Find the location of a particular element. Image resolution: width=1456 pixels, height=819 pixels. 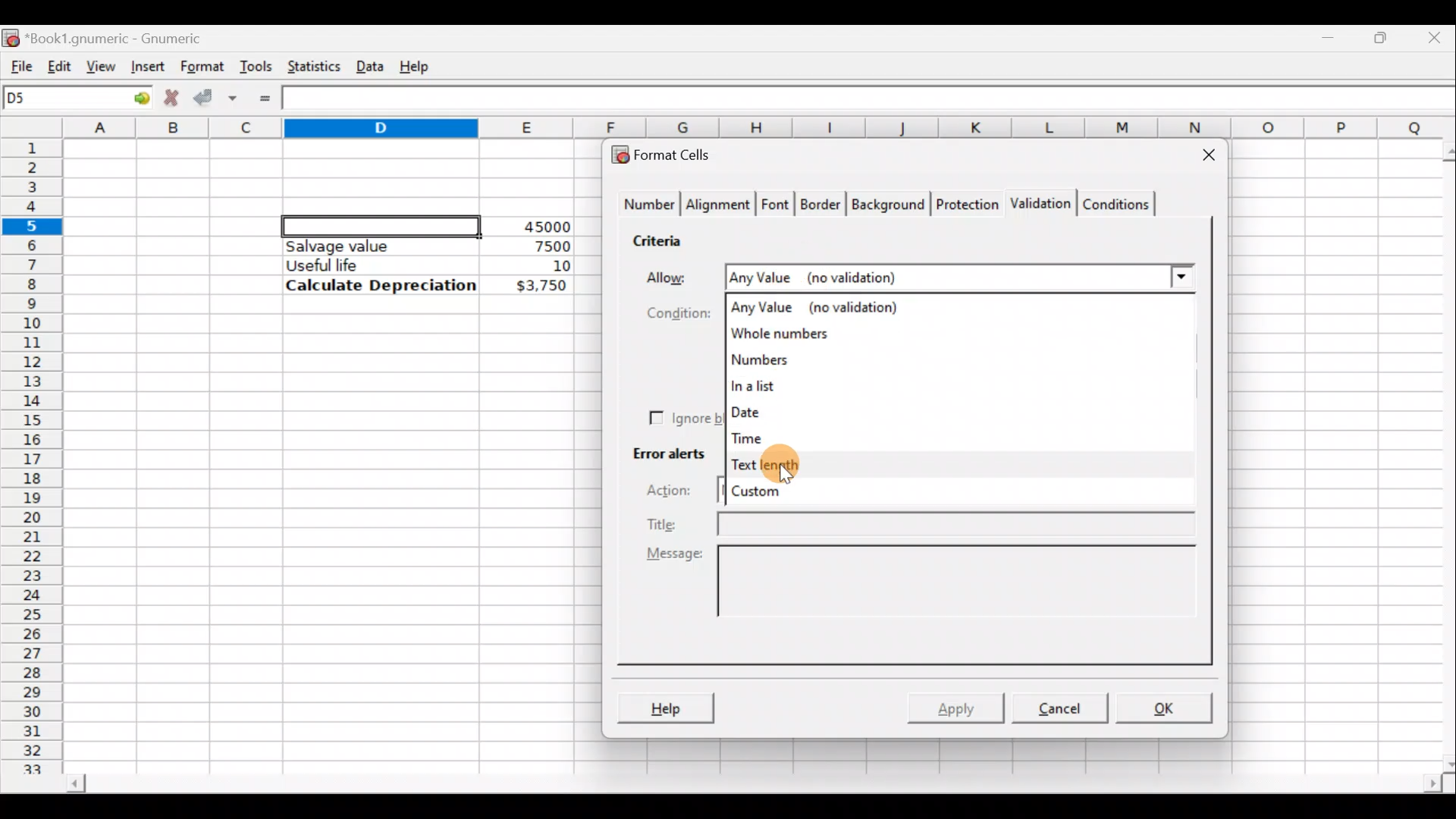

In a list is located at coordinates (783, 388).